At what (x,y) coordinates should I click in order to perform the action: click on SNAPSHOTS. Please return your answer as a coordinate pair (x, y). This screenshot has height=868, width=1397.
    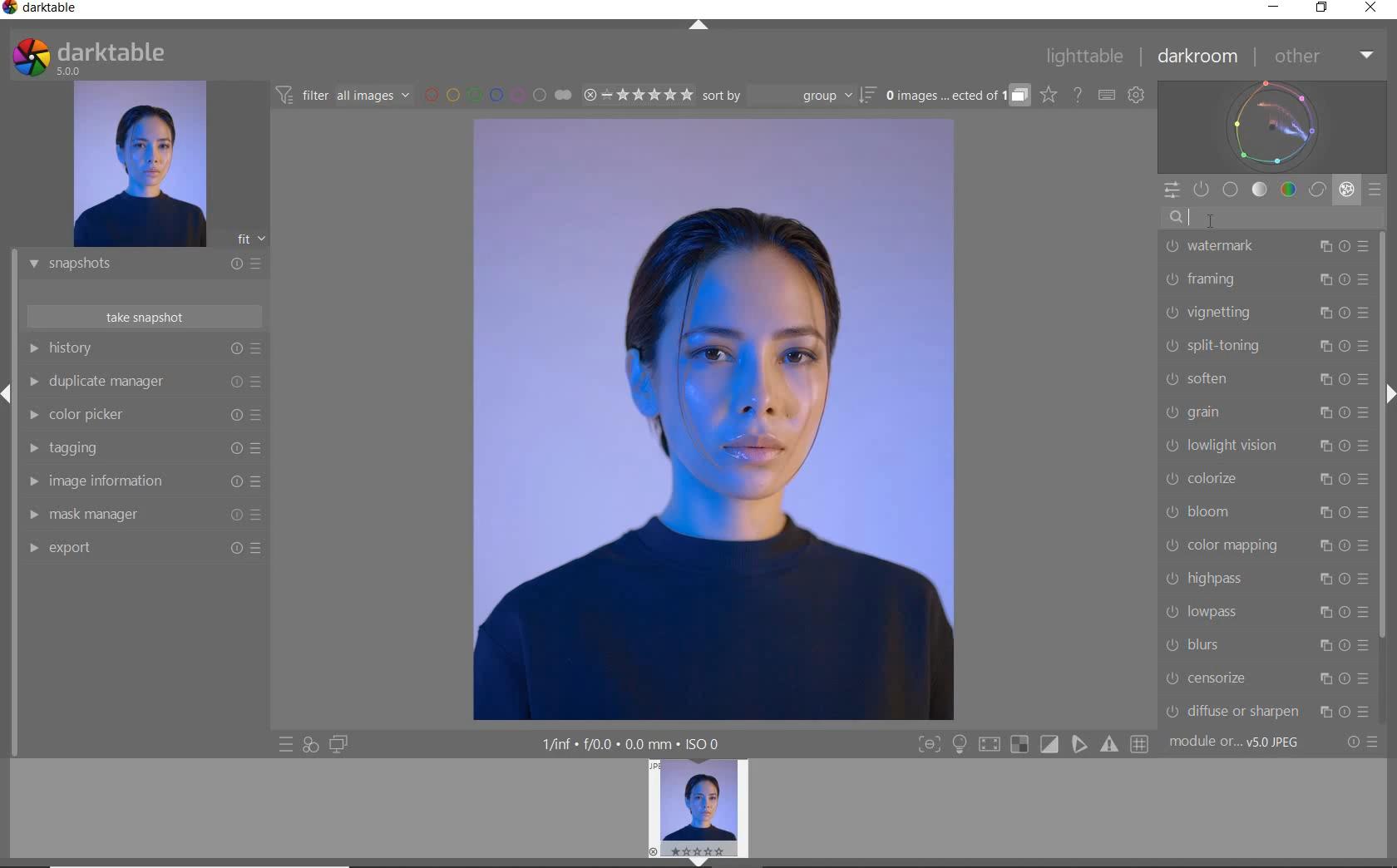
    Looking at the image, I should click on (138, 265).